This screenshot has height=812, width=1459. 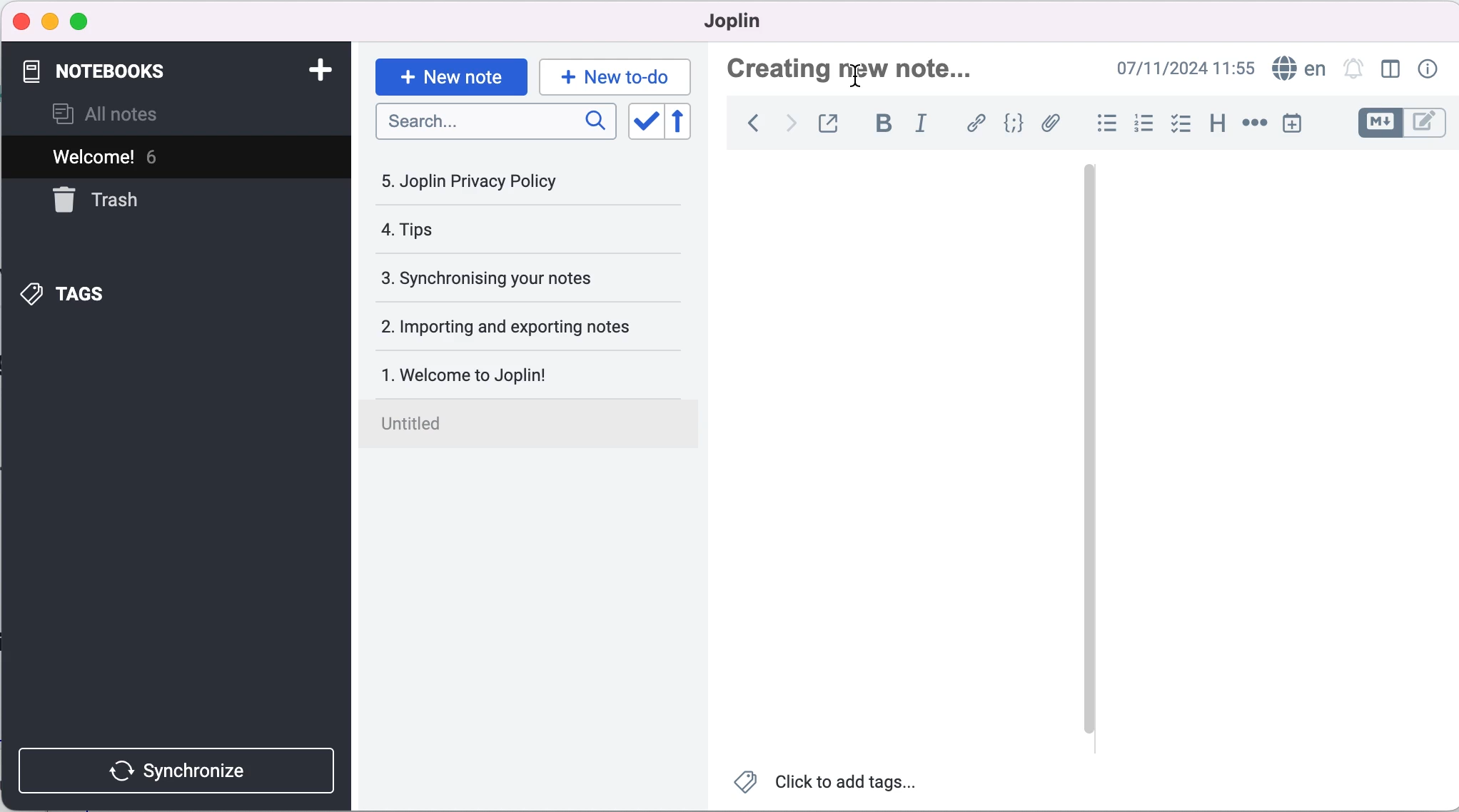 I want to click on click to add tags, so click(x=832, y=785).